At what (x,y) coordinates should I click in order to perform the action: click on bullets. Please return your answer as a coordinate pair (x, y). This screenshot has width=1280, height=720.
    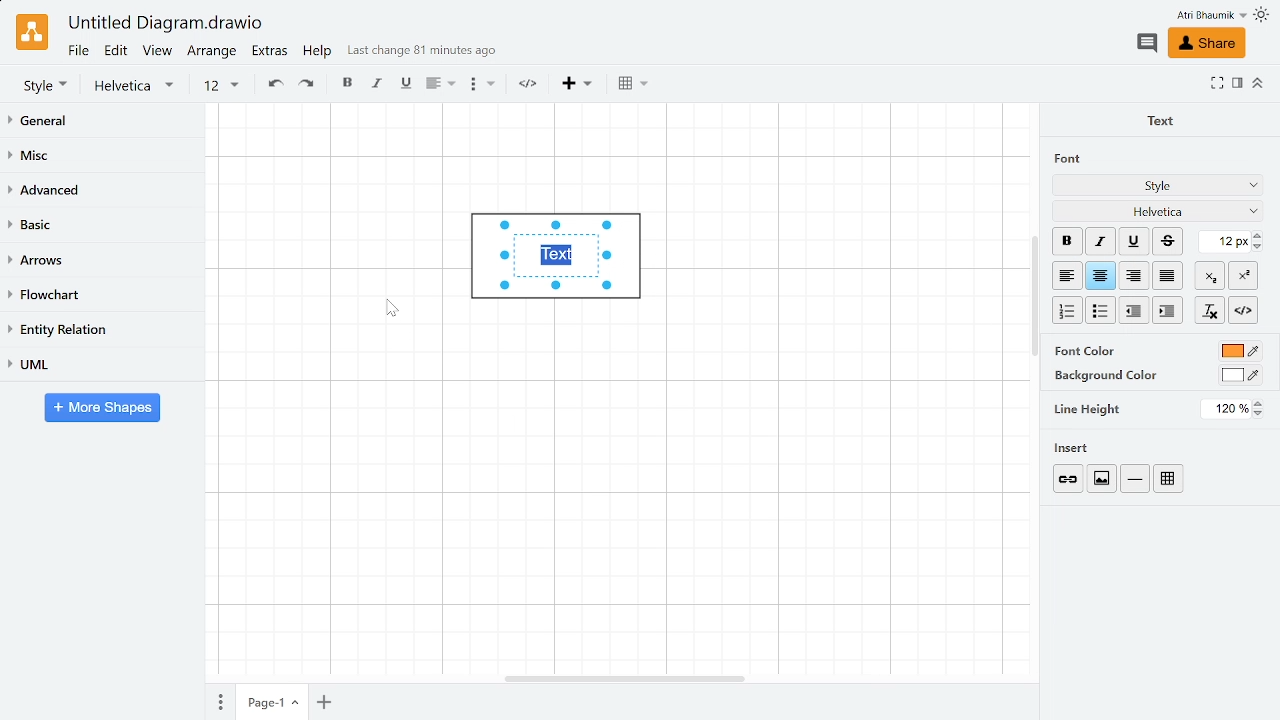
    Looking at the image, I should click on (481, 87).